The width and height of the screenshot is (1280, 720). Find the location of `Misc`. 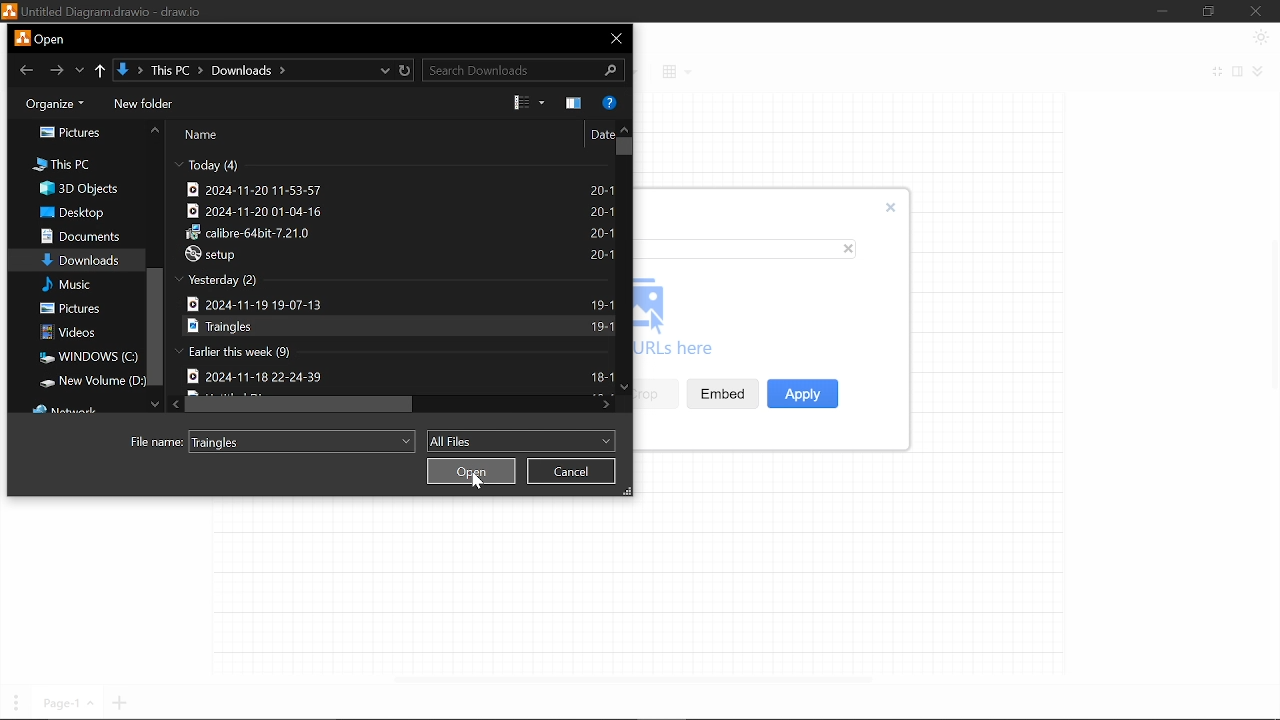

Misc is located at coordinates (67, 282).